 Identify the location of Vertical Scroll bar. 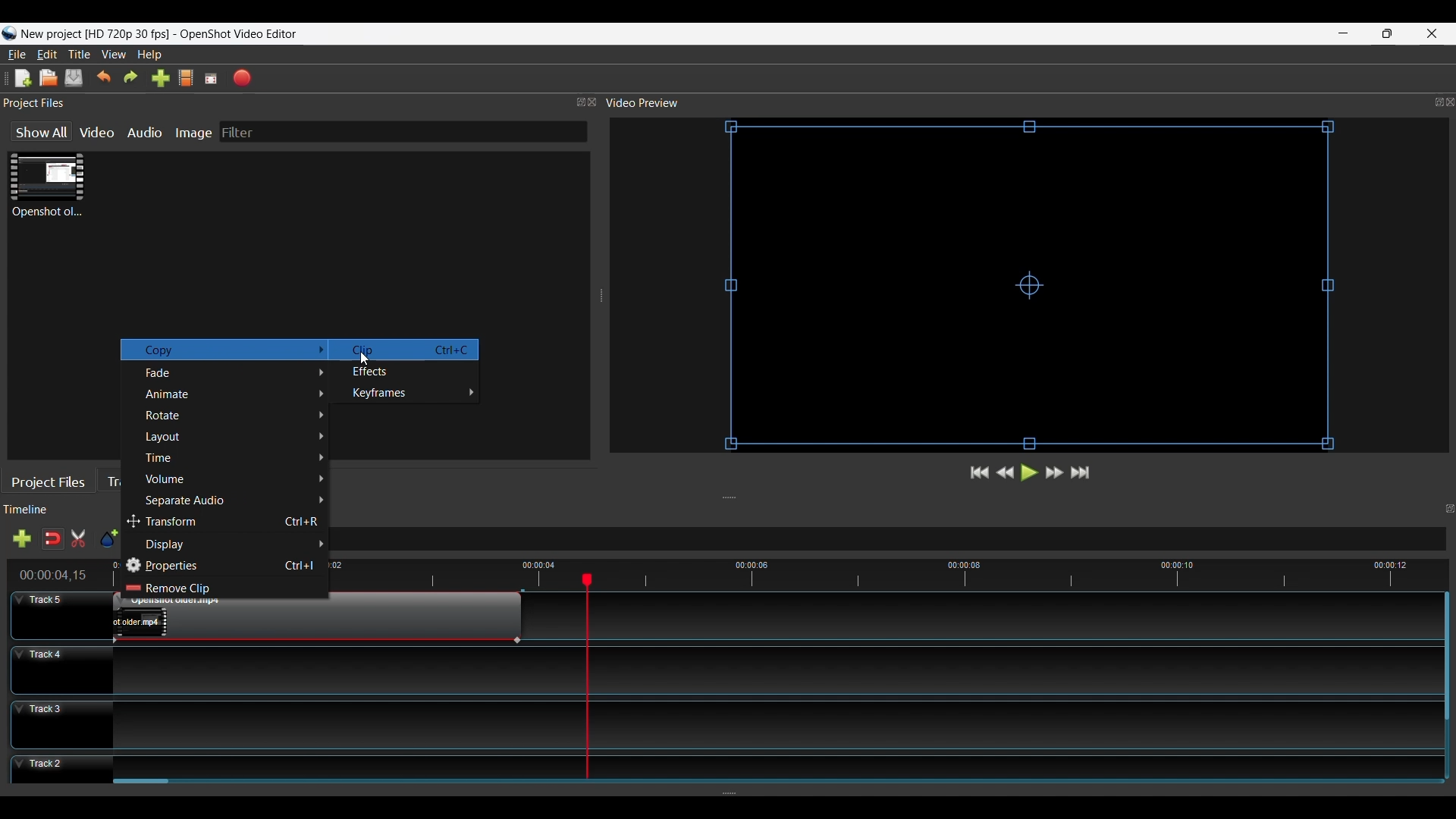
(1445, 657).